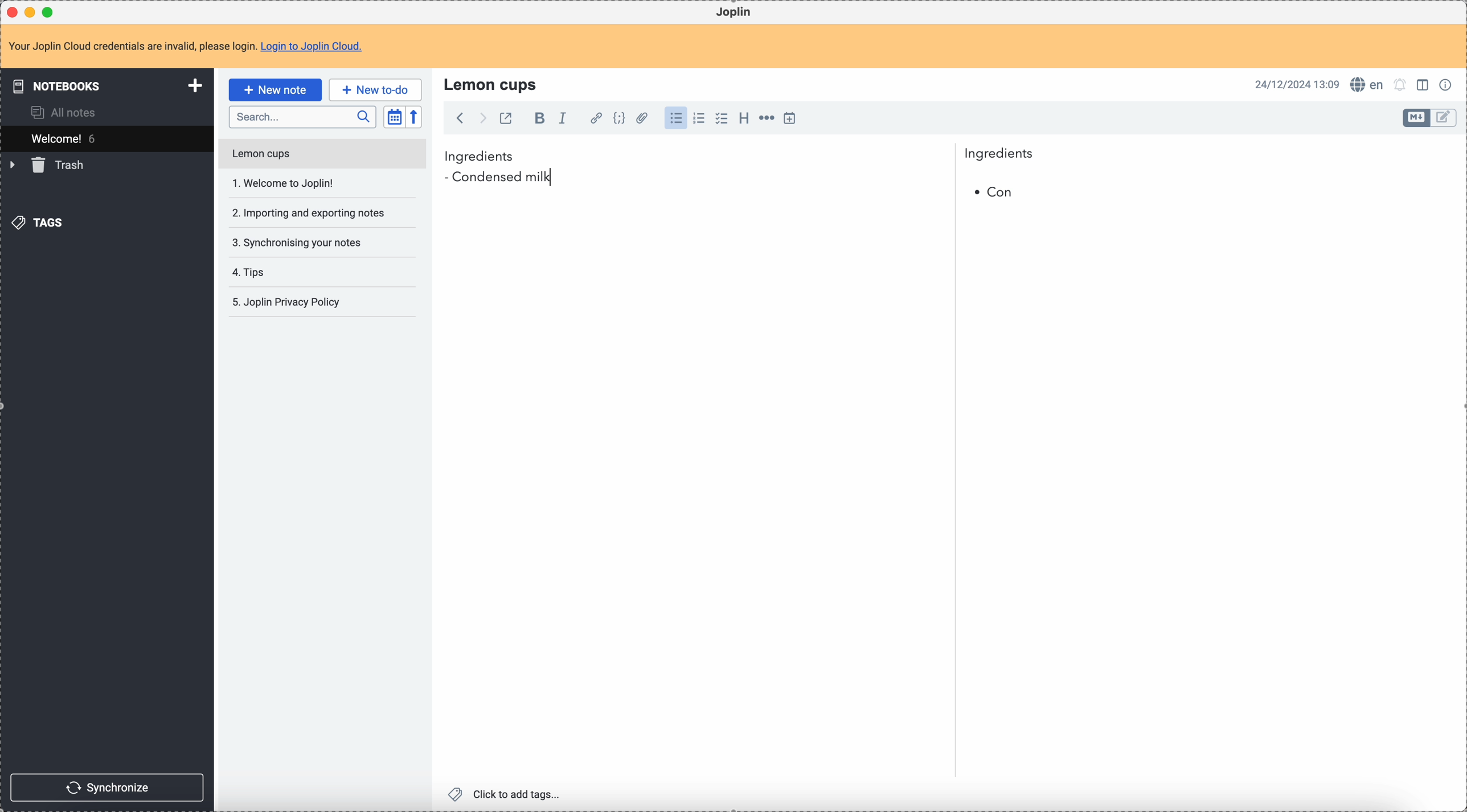 The image size is (1467, 812). What do you see at coordinates (302, 117) in the screenshot?
I see `search bar` at bounding box center [302, 117].